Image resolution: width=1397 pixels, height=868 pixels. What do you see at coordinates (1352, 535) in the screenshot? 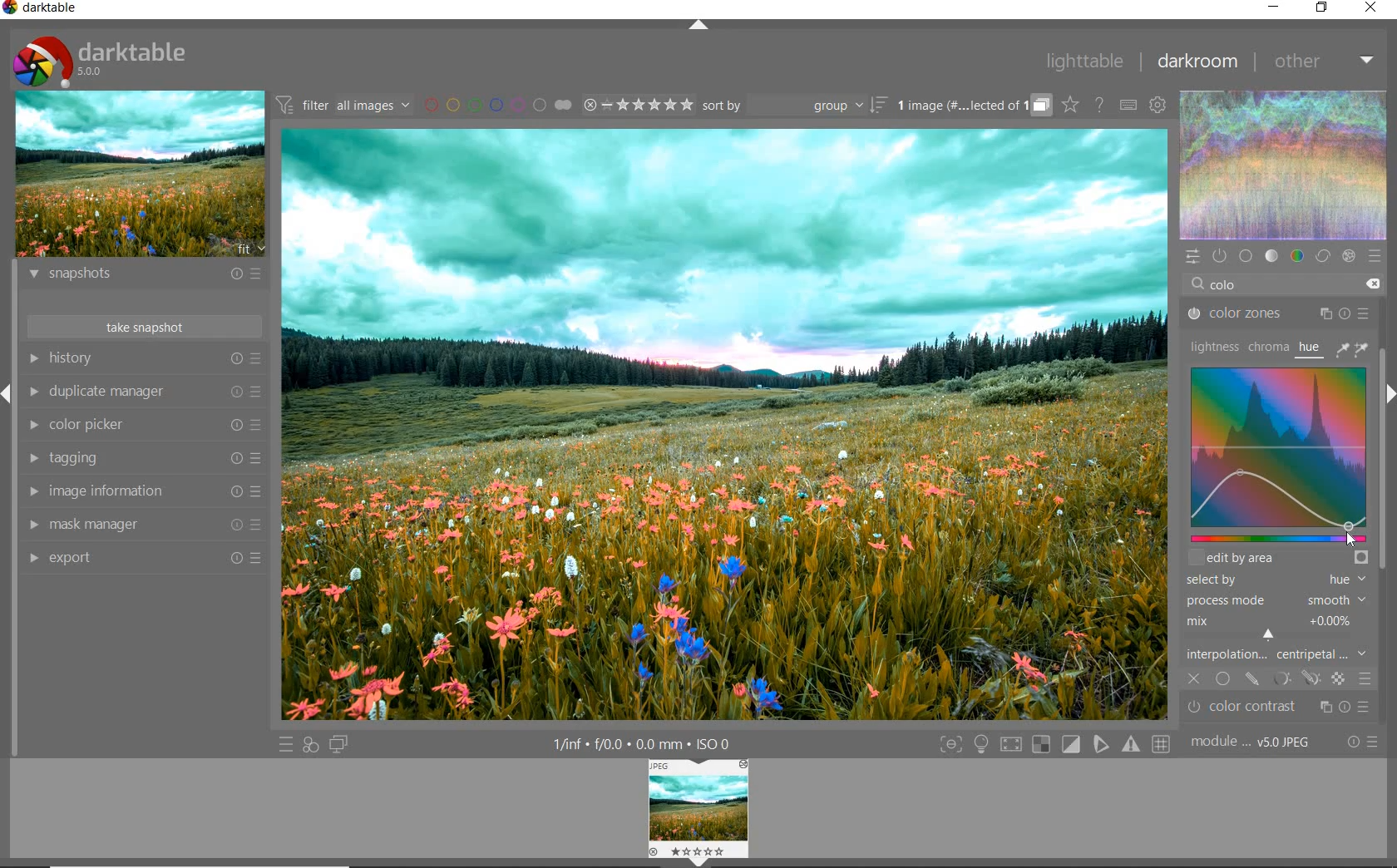
I see `cursor position` at bounding box center [1352, 535].